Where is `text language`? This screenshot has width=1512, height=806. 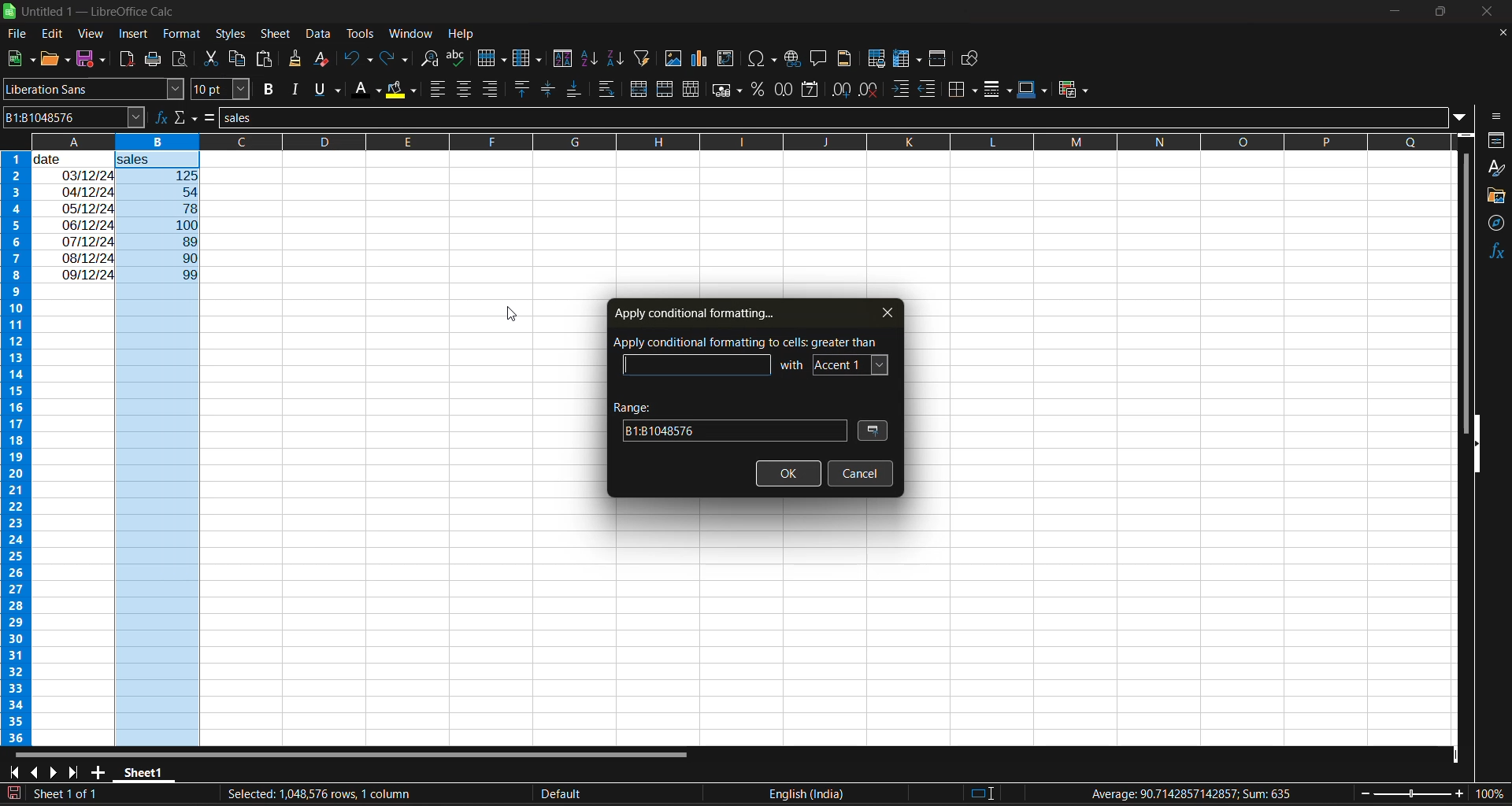
text language is located at coordinates (676, 793).